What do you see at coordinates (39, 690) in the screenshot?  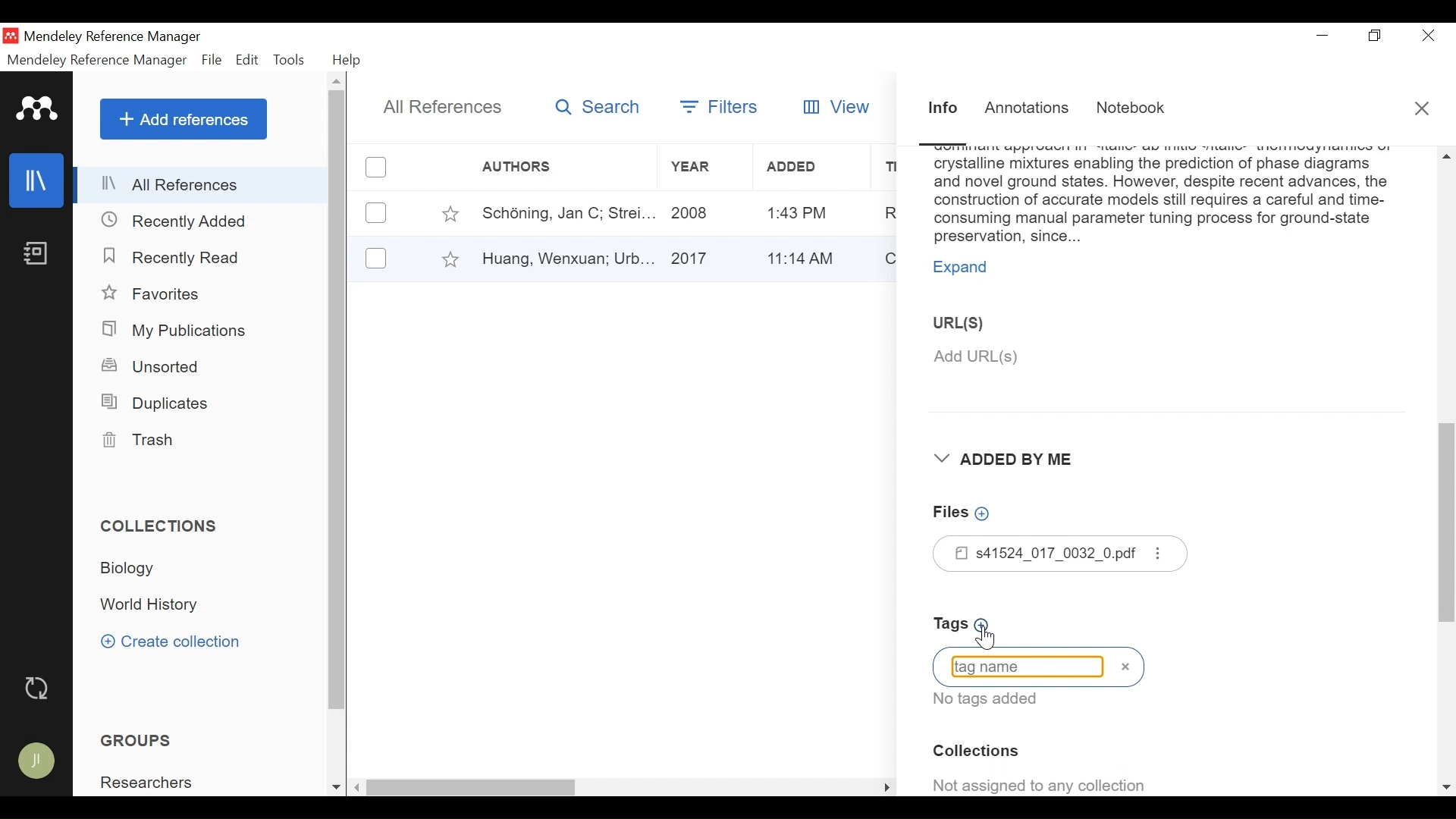 I see `Sync` at bounding box center [39, 690].